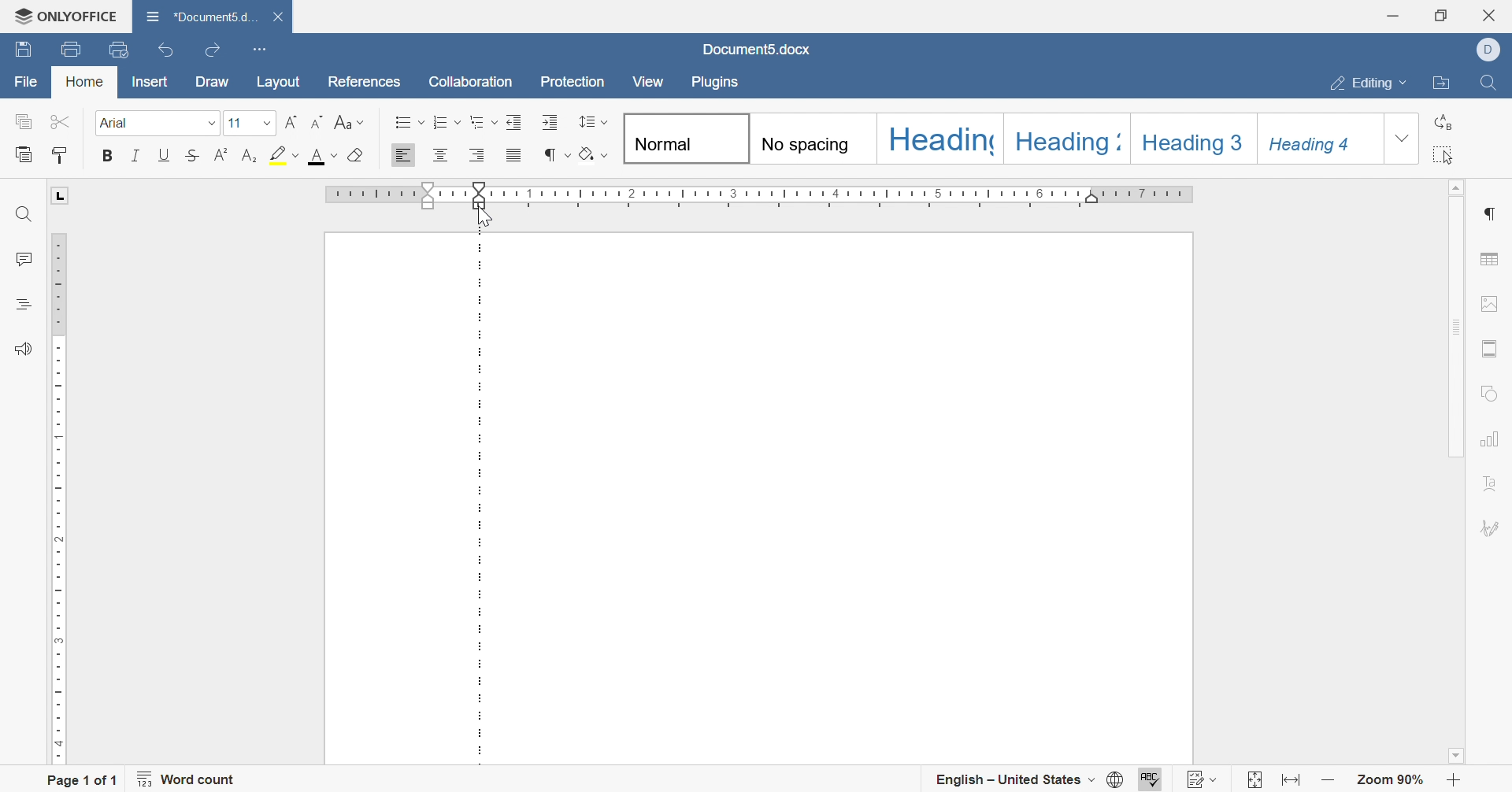 This screenshot has width=1512, height=792. I want to click on minimize, so click(1395, 14).